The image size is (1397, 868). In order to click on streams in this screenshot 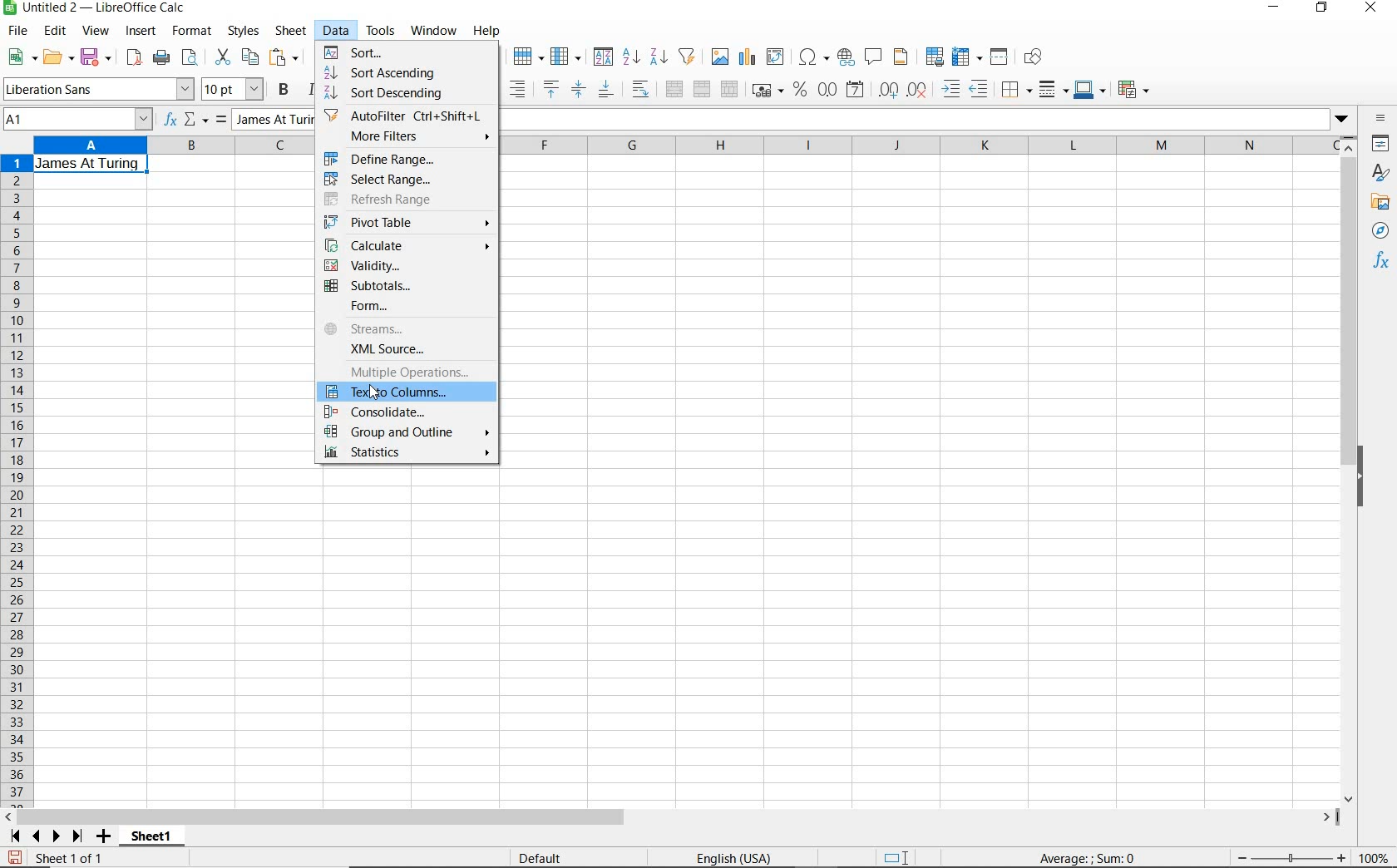, I will do `click(368, 328)`.